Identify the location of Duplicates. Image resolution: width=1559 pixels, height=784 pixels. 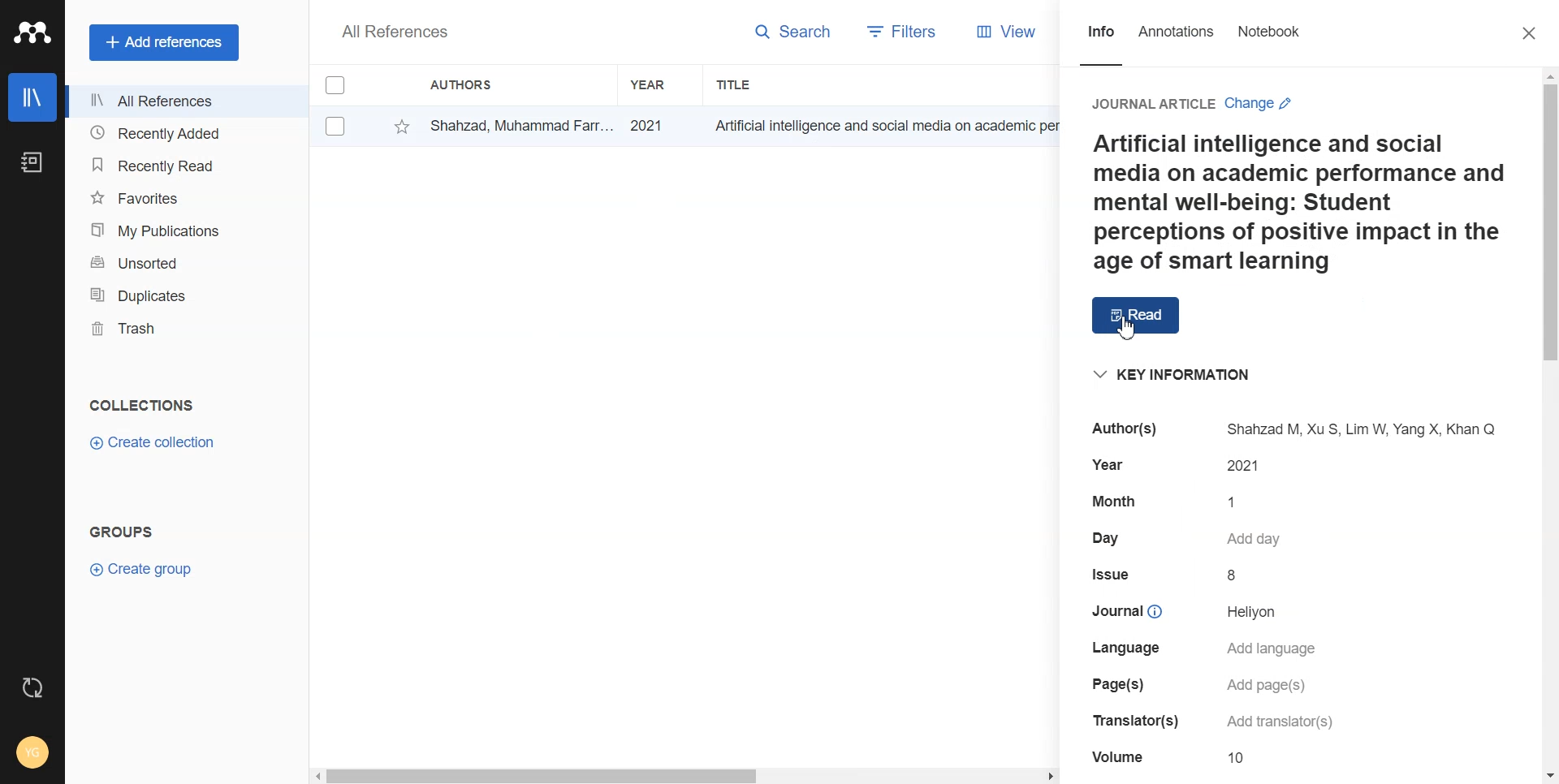
(184, 296).